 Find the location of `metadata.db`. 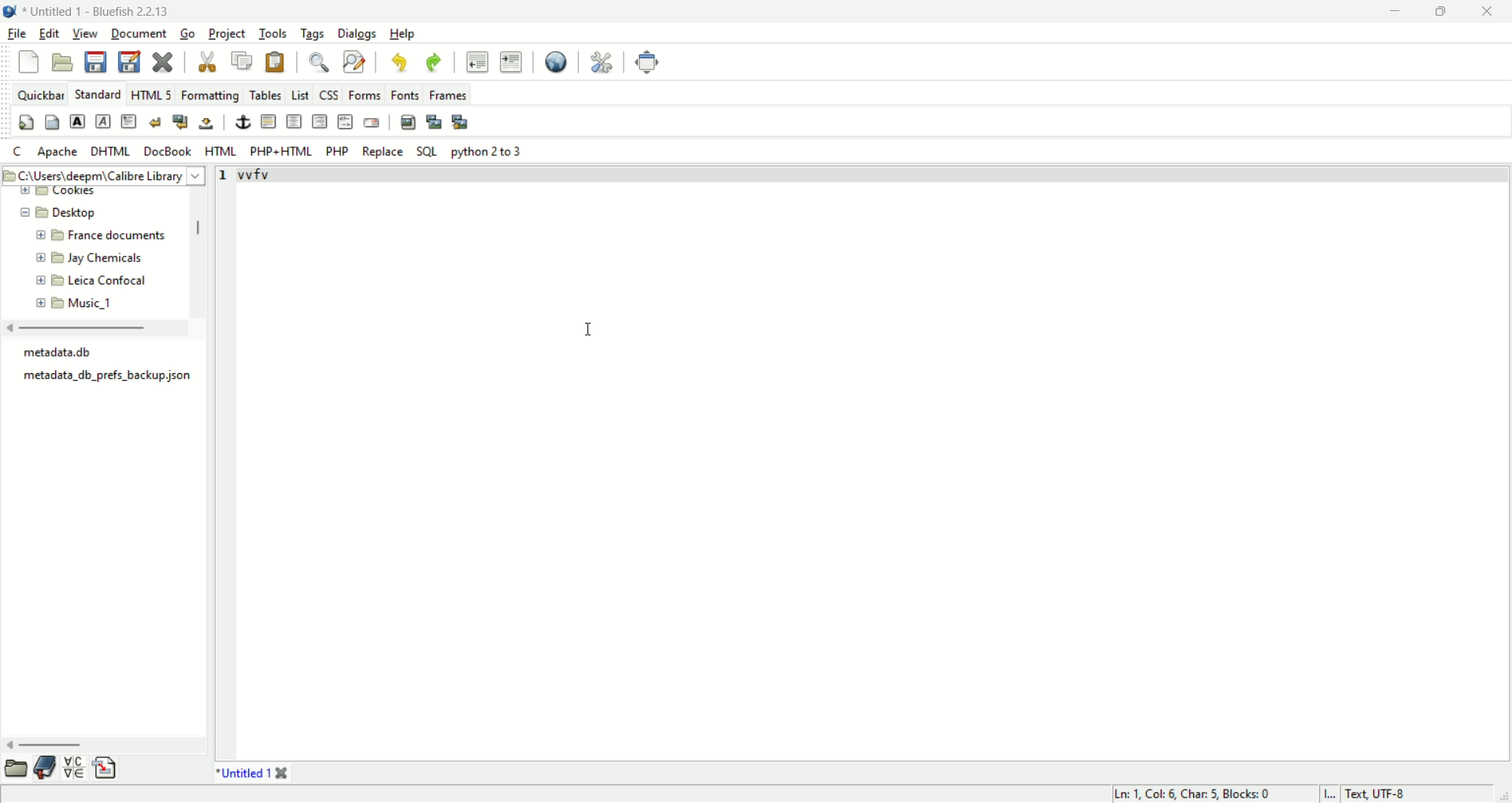

metadata.db is located at coordinates (64, 352).